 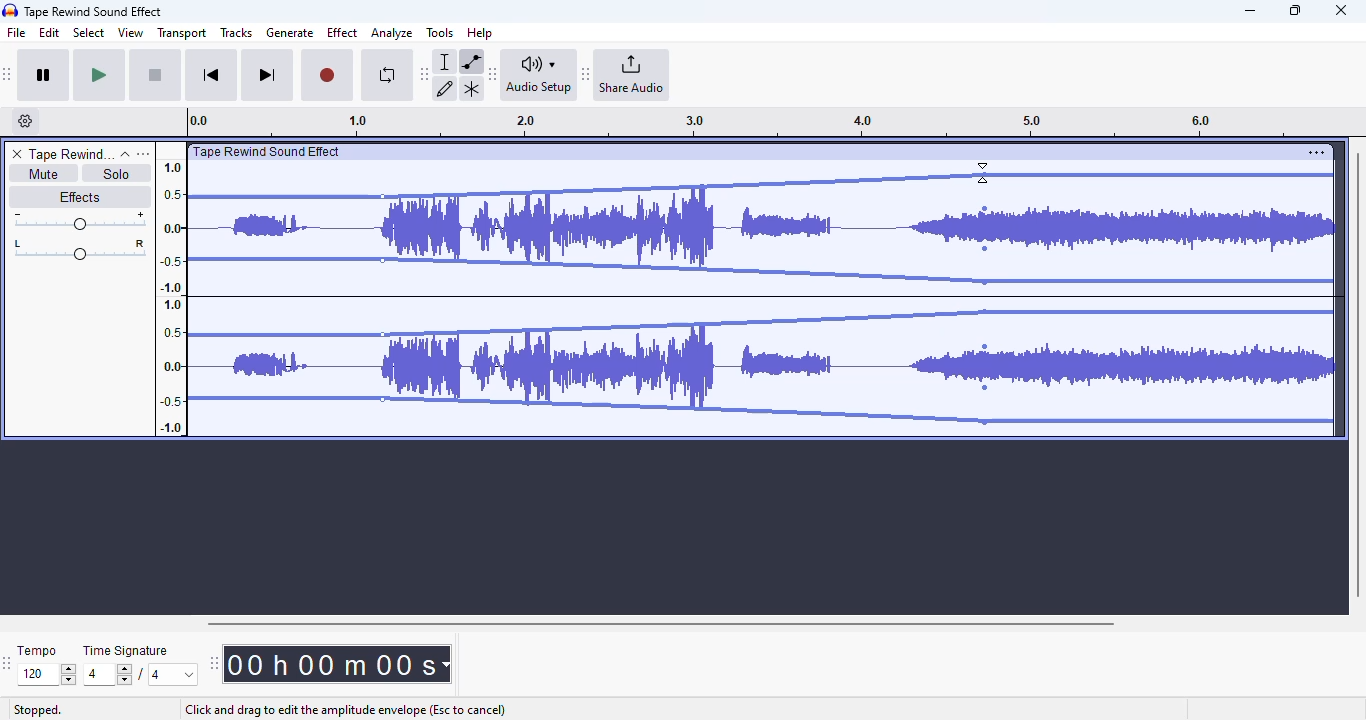 I want to click on Move audacity transport toolbar, so click(x=8, y=74).